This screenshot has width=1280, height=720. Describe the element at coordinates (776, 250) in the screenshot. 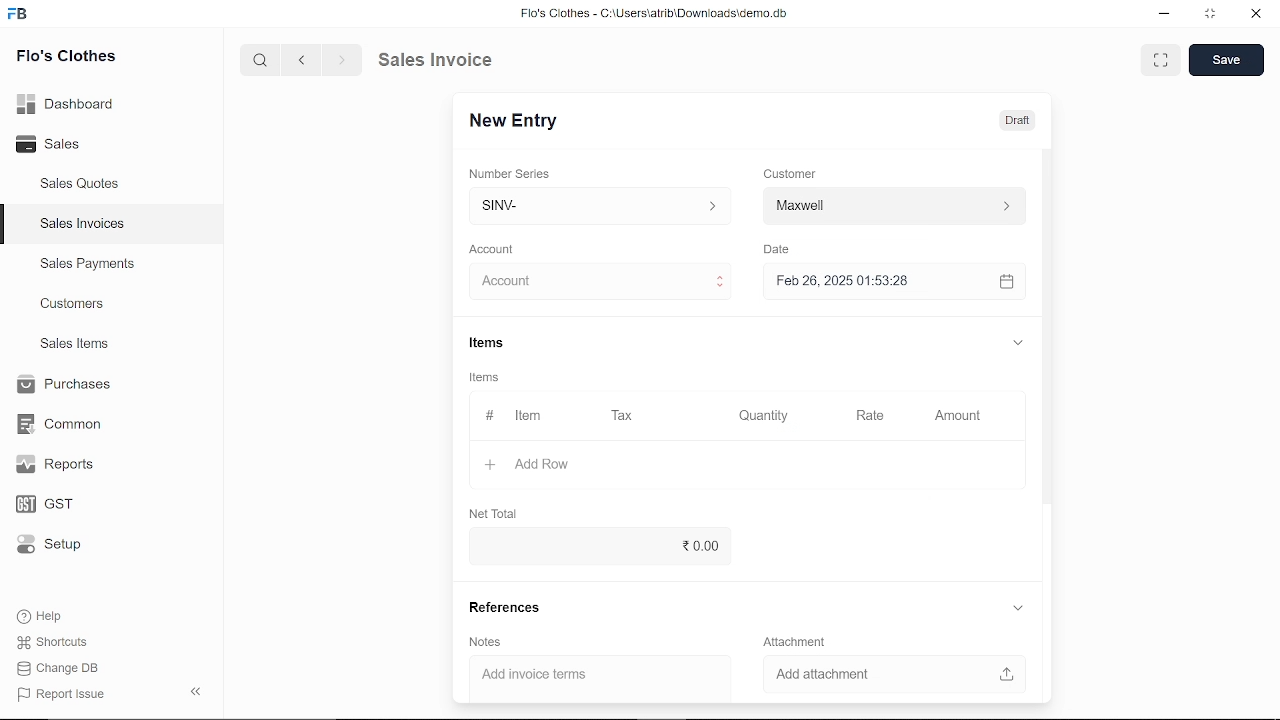

I see `Date` at that location.